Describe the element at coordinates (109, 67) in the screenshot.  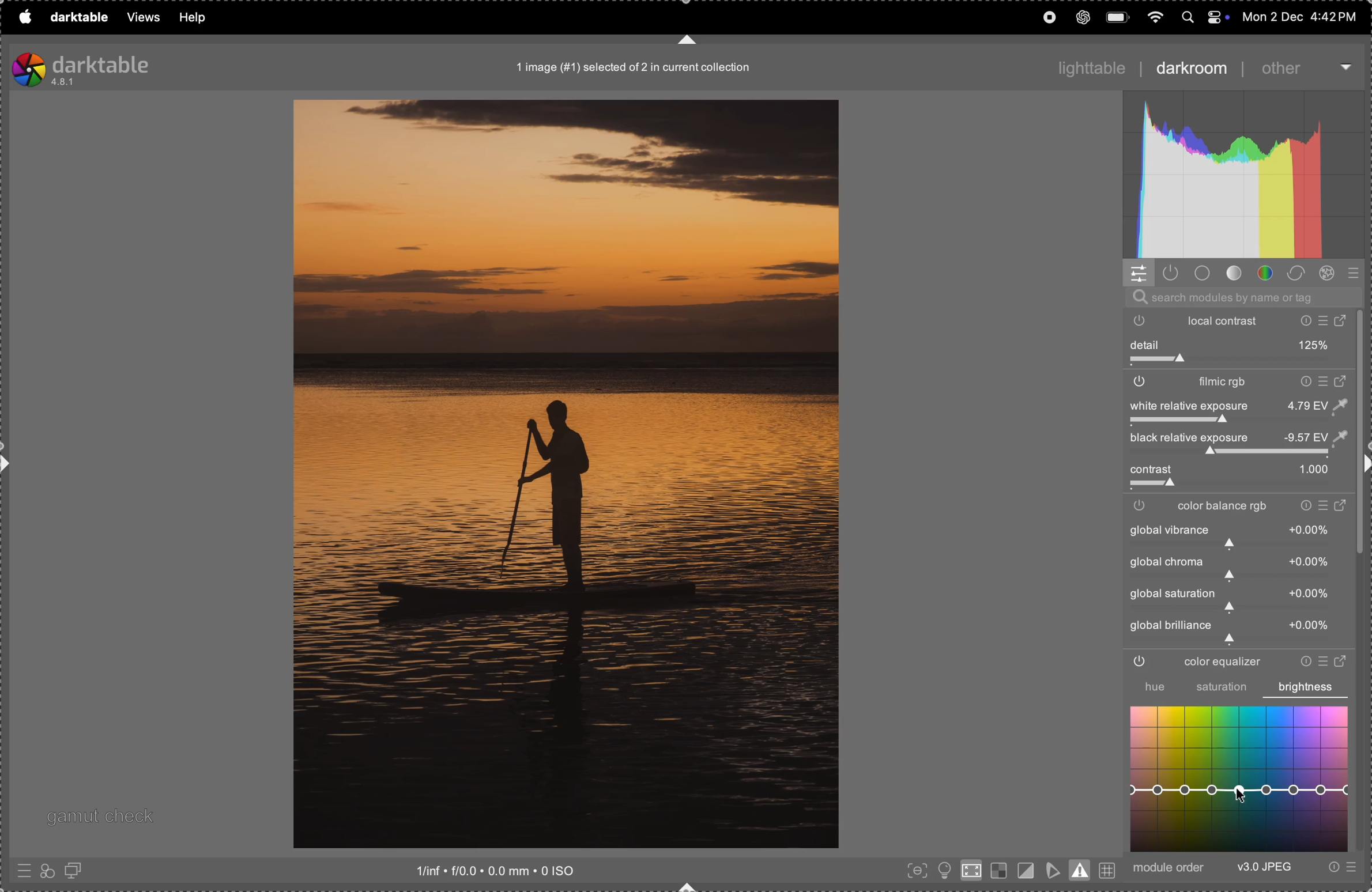
I see `darktable version` at that location.